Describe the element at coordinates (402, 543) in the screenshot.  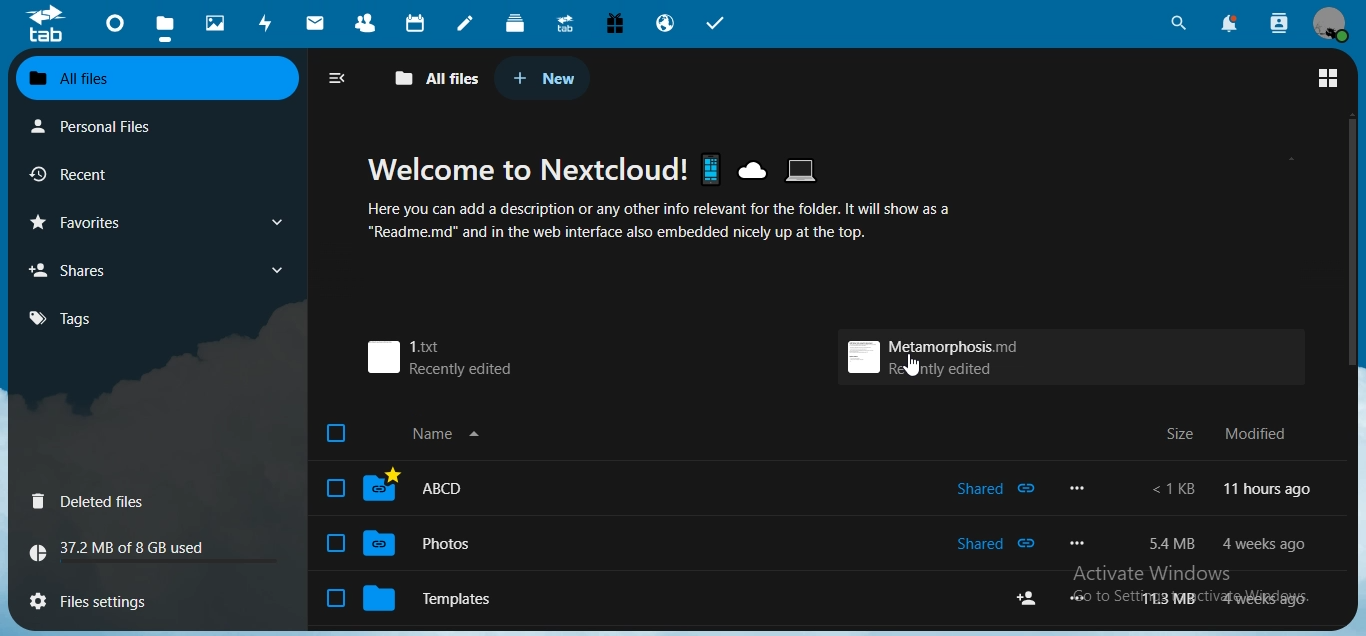
I see `Photos` at that location.